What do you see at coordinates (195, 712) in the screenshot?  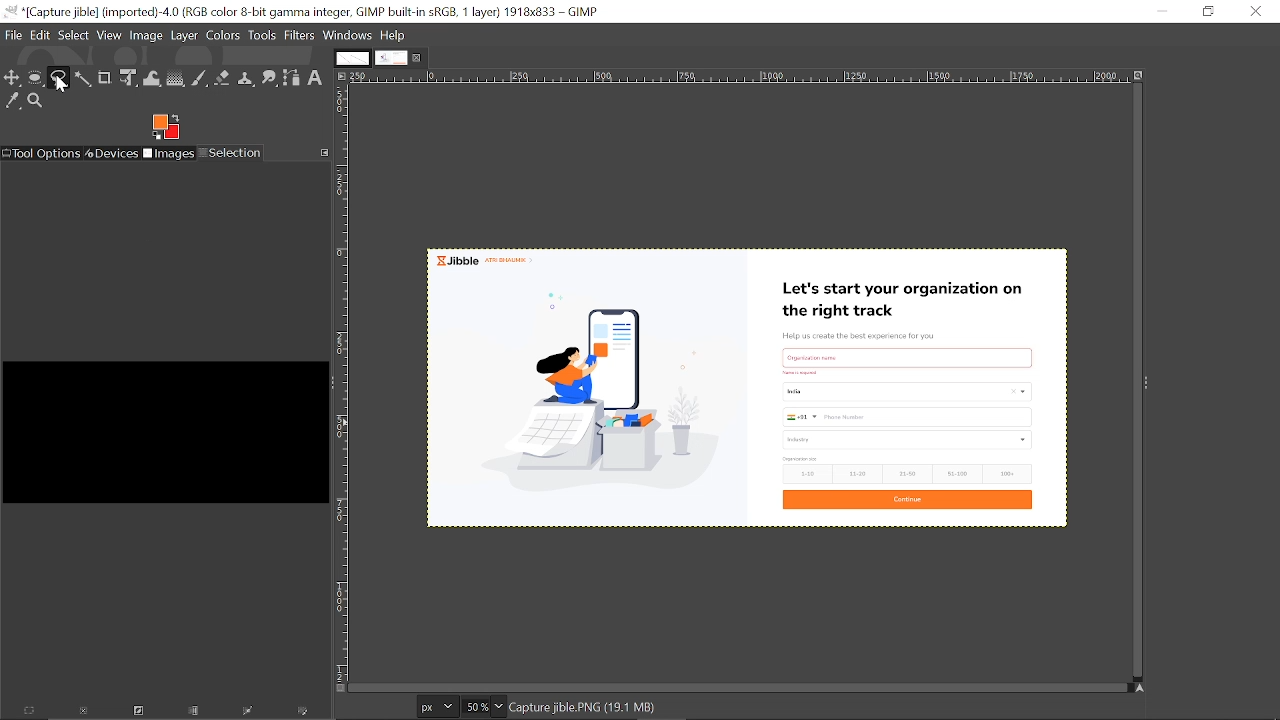 I see `Save the selection to a channel` at bounding box center [195, 712].